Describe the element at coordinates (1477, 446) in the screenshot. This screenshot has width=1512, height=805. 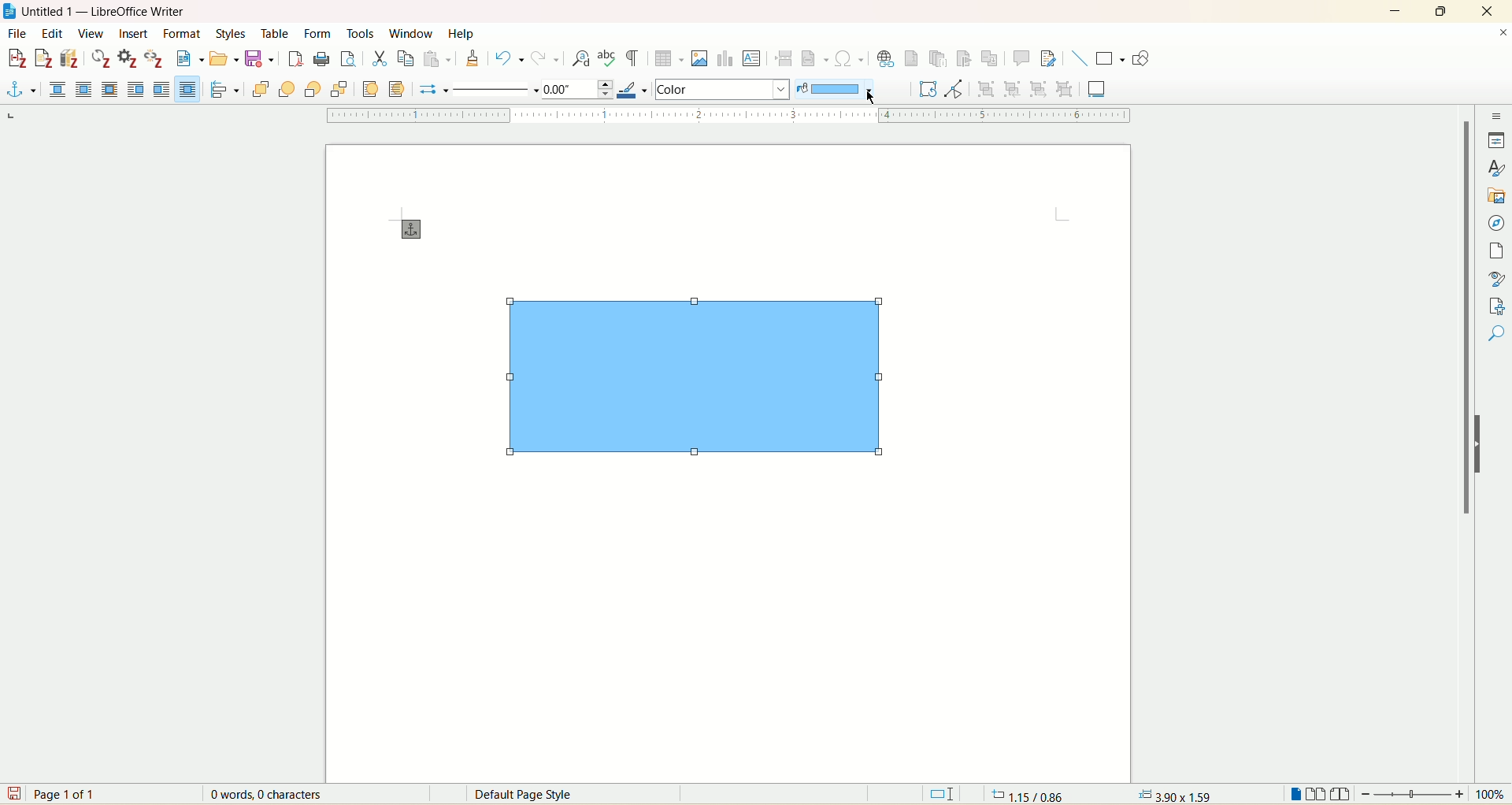
I see `hide` at that location.